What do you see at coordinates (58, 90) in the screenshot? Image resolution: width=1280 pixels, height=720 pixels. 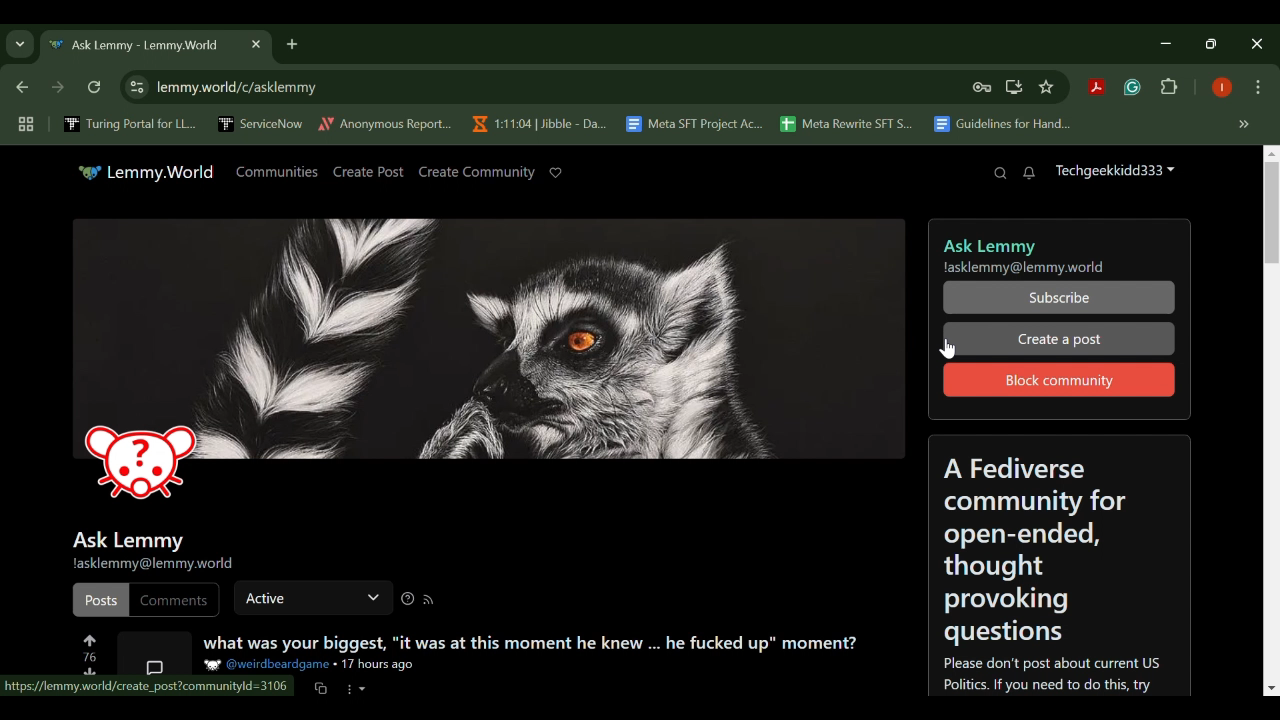 I see `Next Webpage` at bounding box center [58, 90].